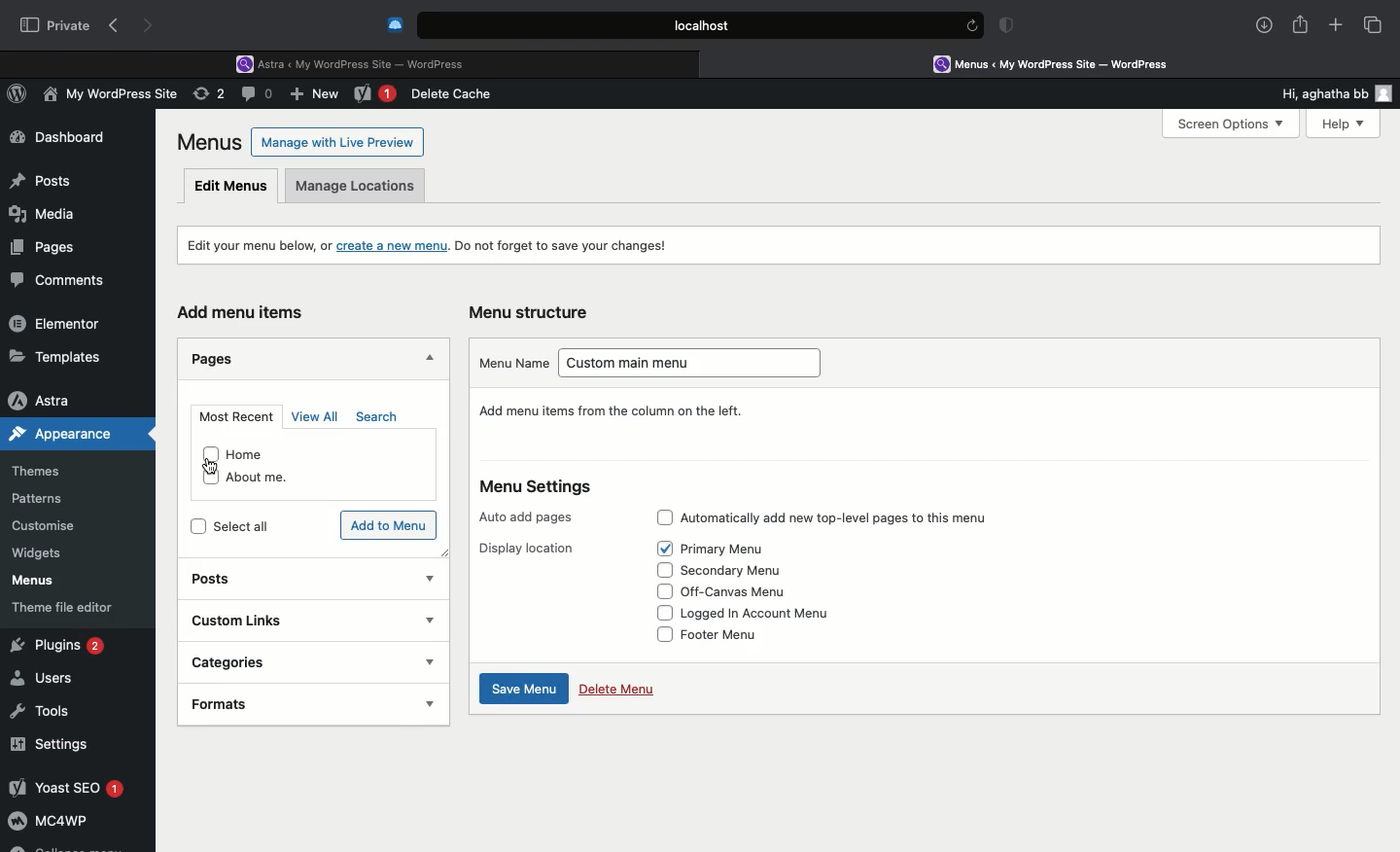  Describe the element at coordinates (39, 246) in the screenshot. I see `Pages` at that location.